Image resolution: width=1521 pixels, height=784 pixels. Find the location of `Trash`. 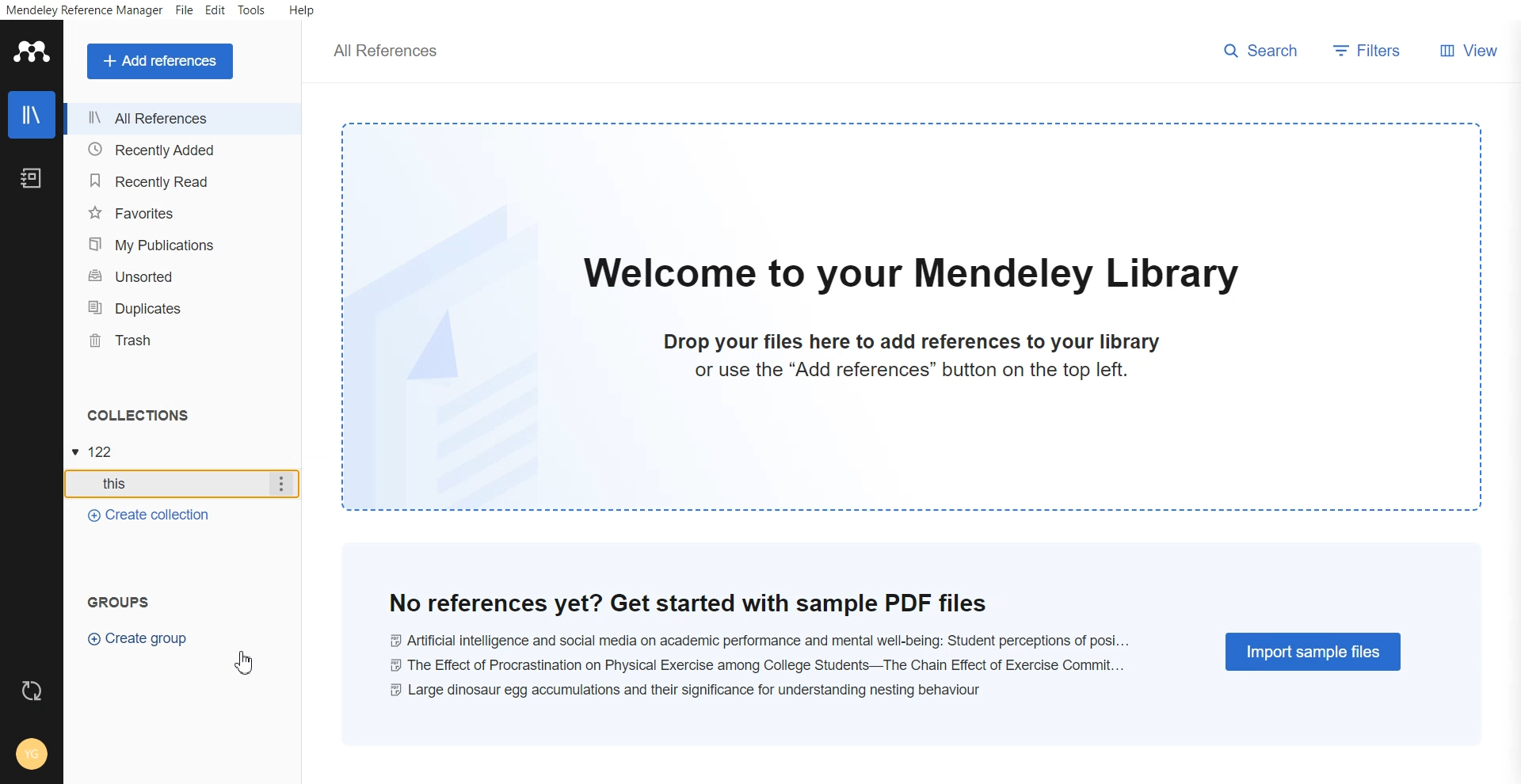

Trash is located at coordinates (185, 339).